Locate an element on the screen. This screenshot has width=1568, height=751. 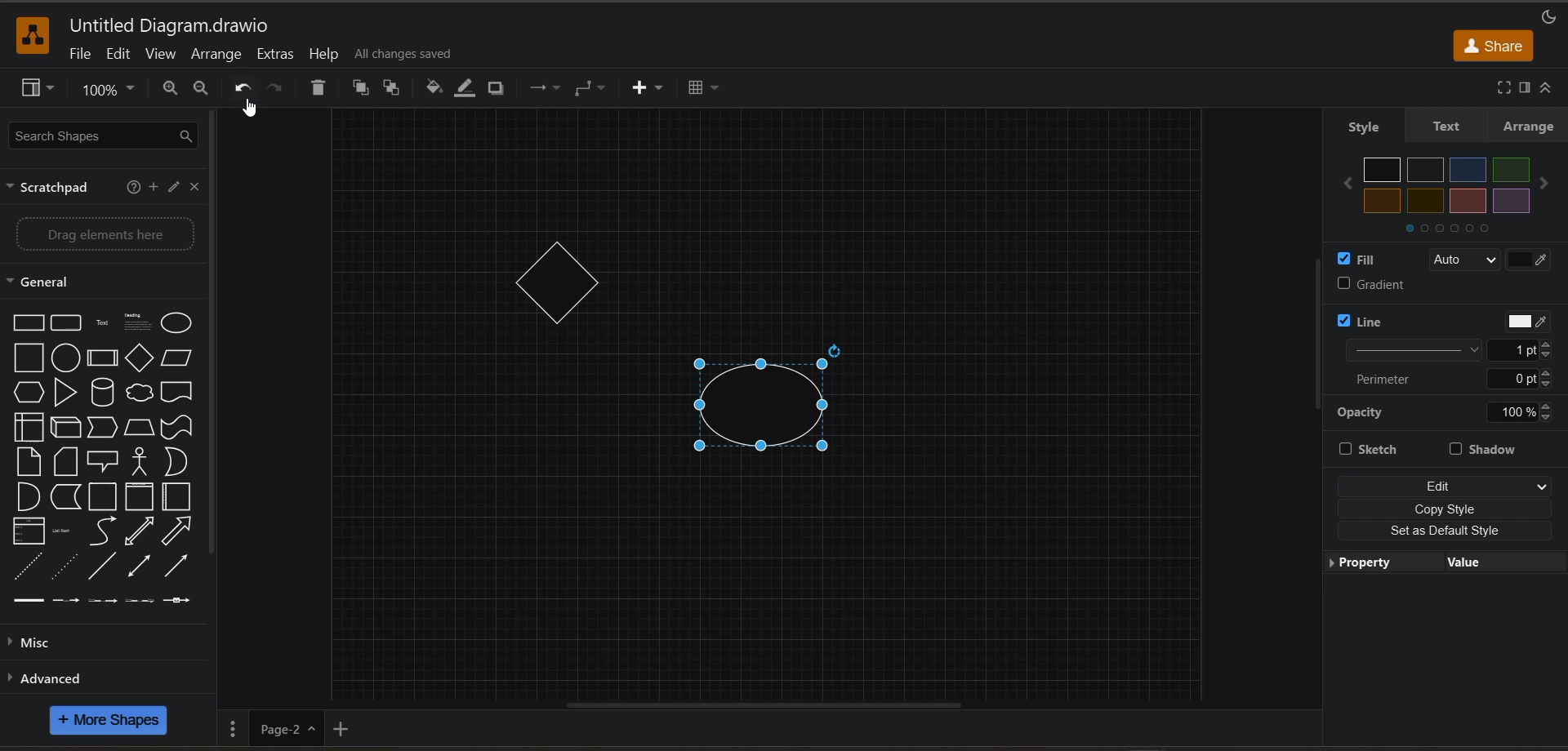
horizontal scroll bar is located at coordinates (797, 706).